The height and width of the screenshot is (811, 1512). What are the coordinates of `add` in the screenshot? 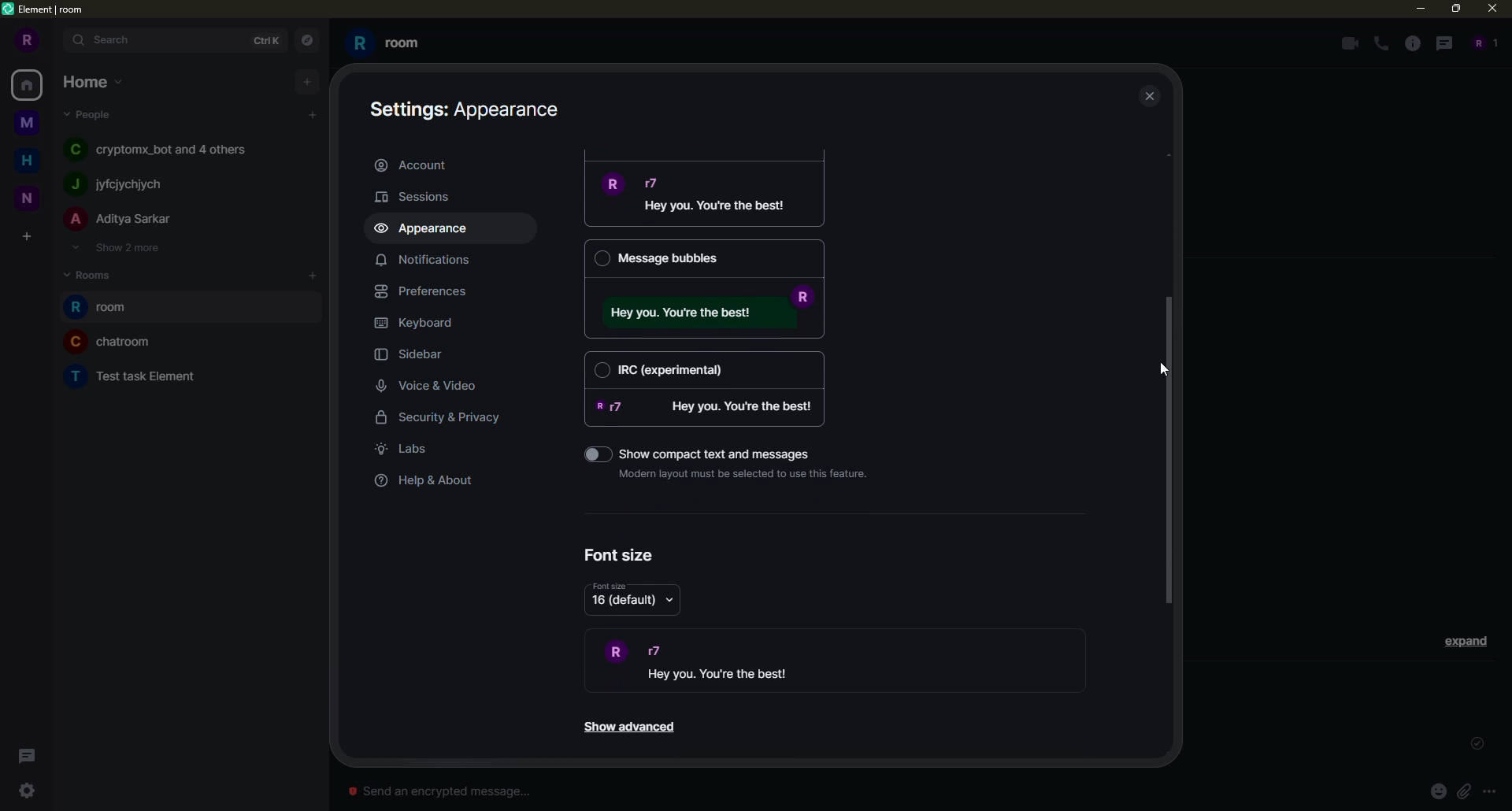 It's located at (307, 80).